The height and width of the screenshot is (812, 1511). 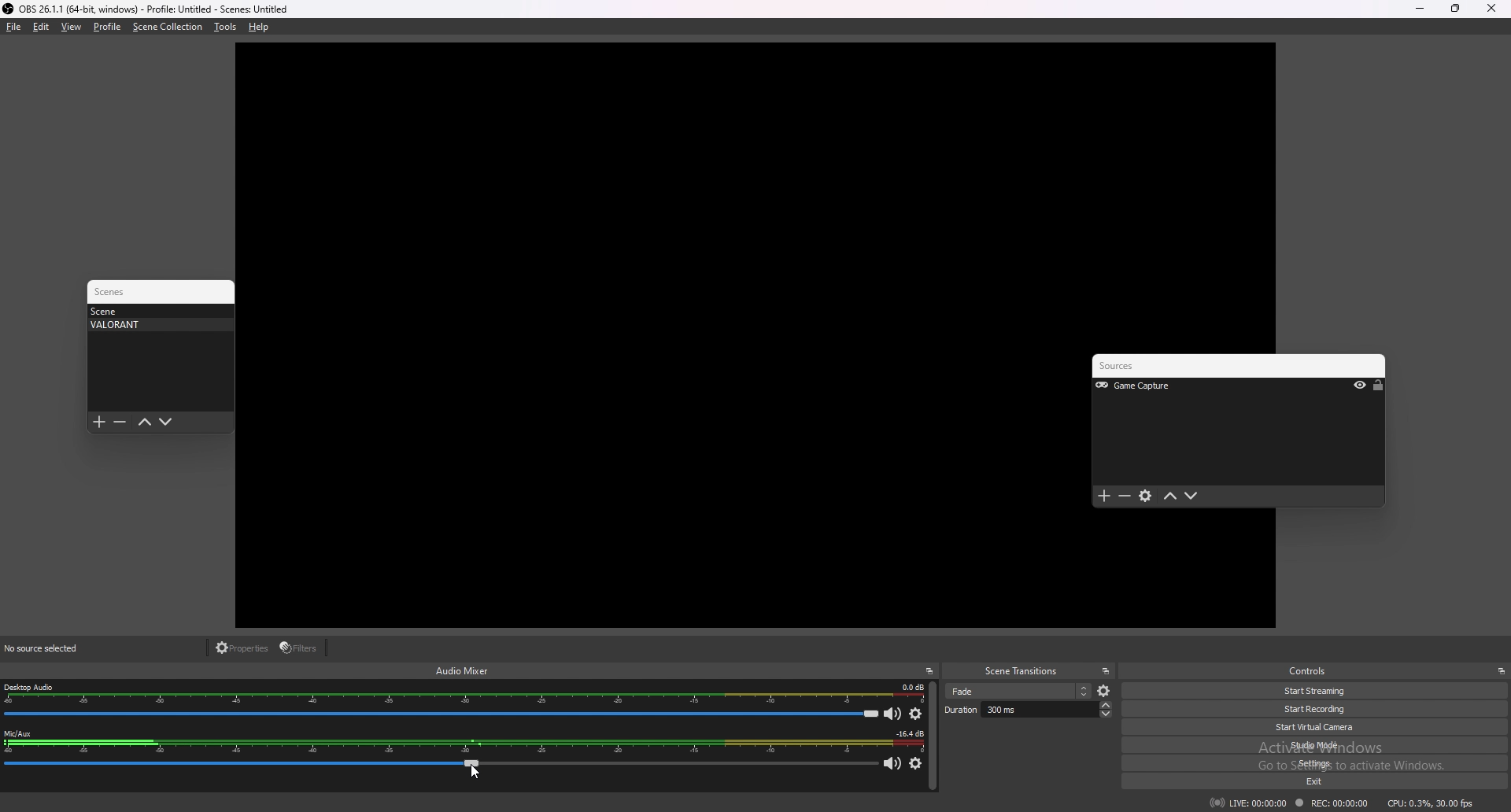 I want to click on remove, so click(x=120, y=423).